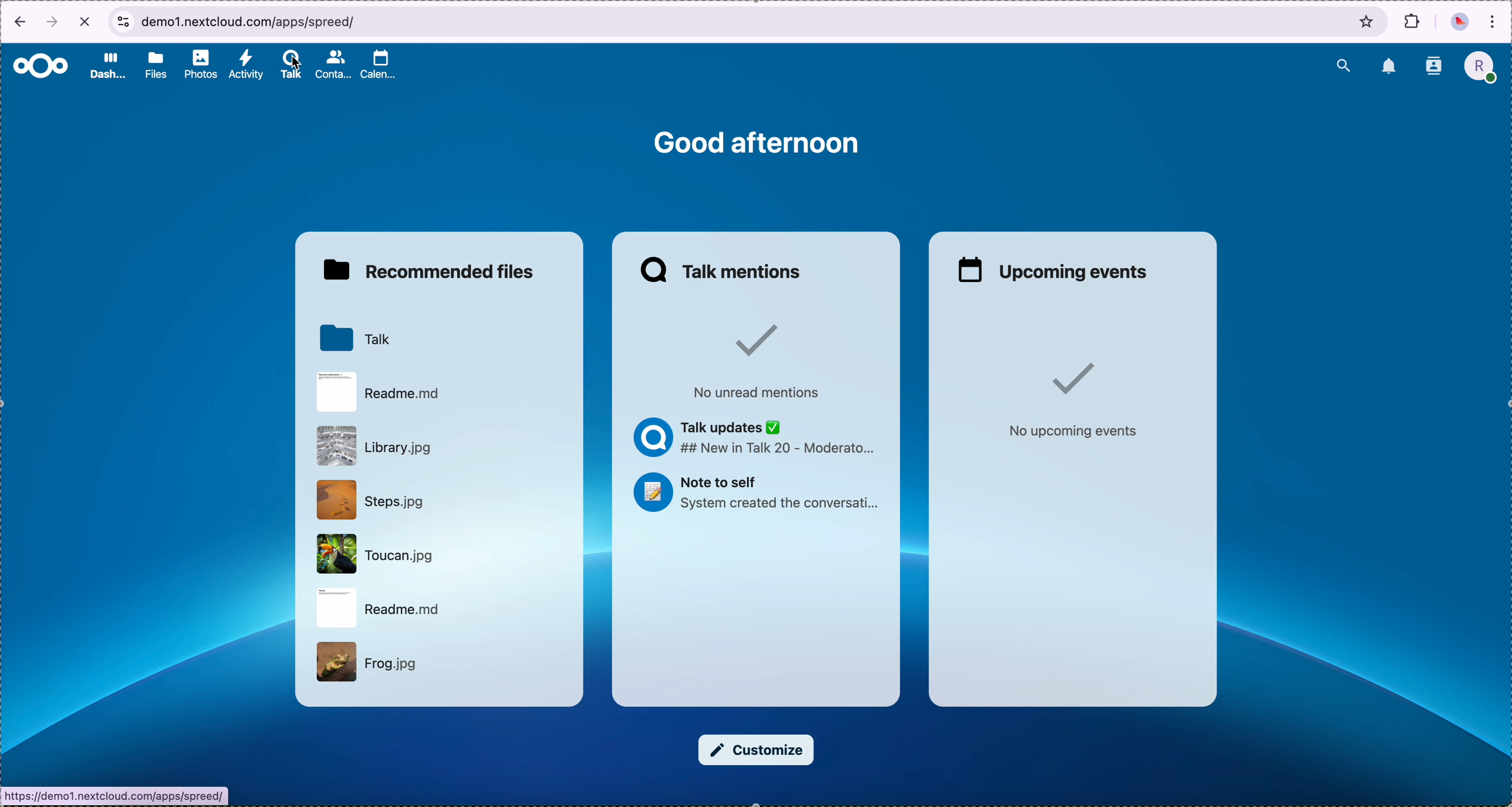 This screenshot has height=807, width=1512. Describe the element at coordinates (294, 65) in the screenshot. I see `talk` at that location.